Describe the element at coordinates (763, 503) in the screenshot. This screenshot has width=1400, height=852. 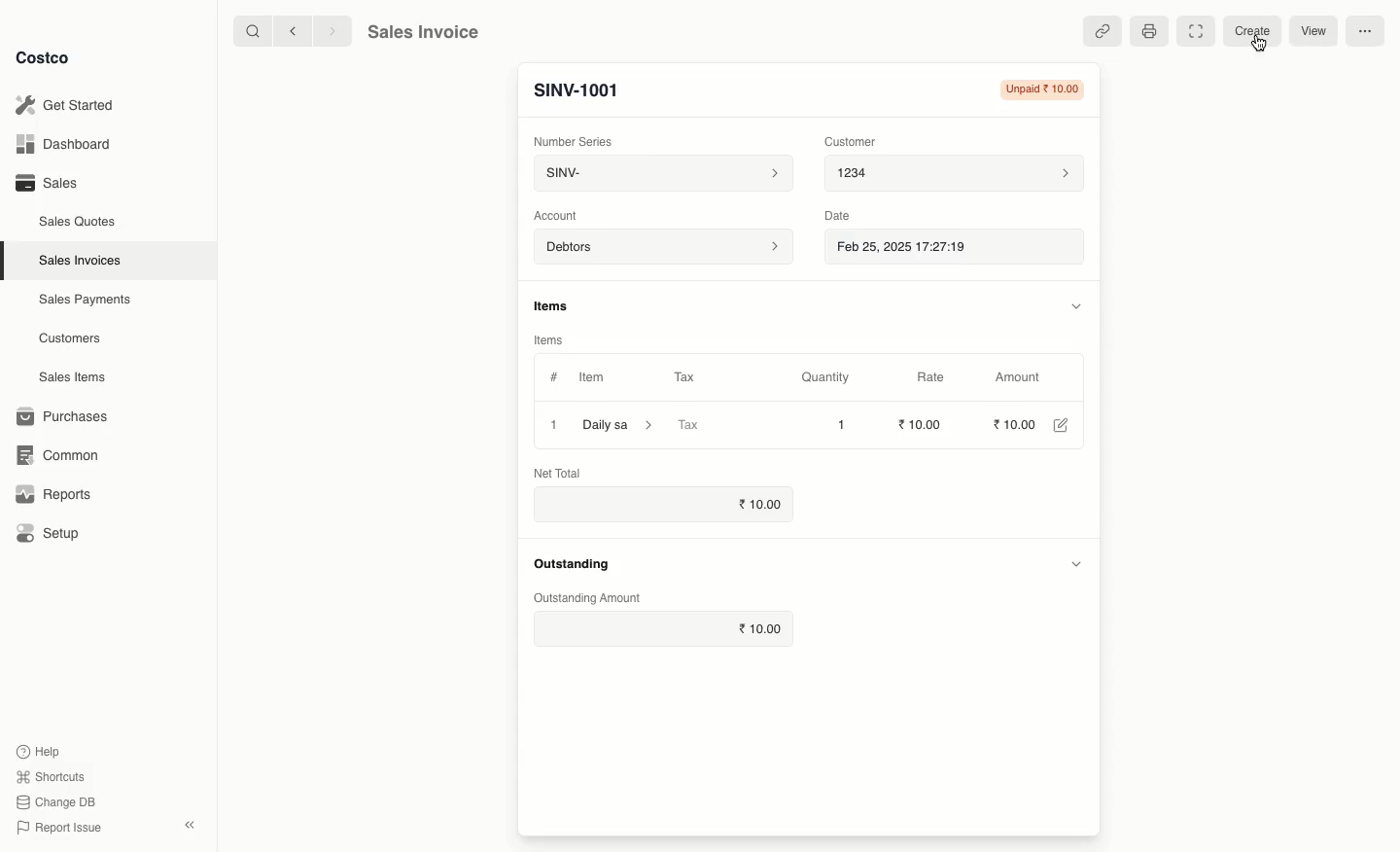
I see `10.00` at that location.